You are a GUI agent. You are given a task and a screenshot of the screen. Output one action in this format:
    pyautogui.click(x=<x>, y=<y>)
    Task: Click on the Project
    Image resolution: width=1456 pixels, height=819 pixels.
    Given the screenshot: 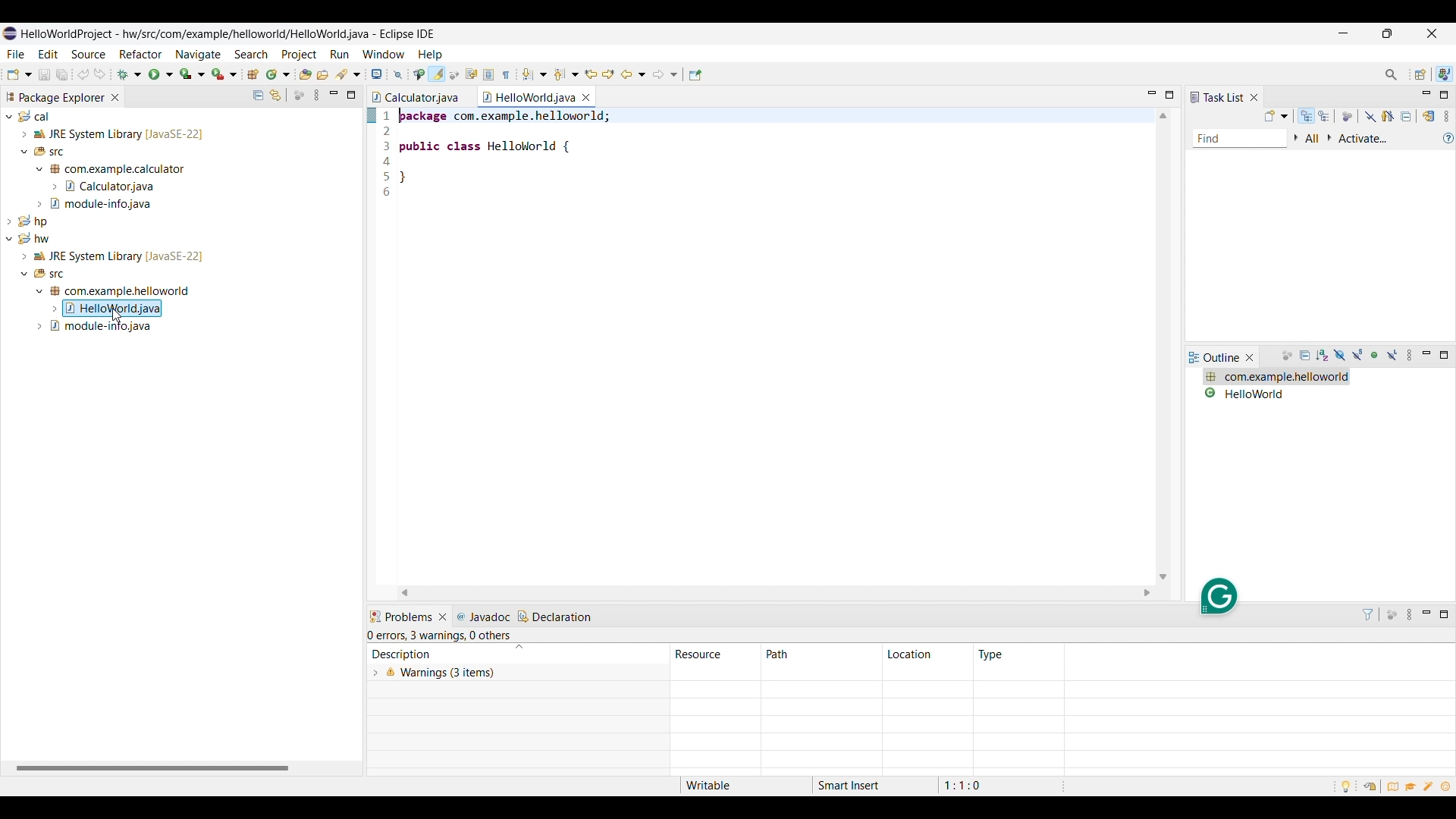 What is the action you would take?
    pyautogui.click(x=298, y=55)
    